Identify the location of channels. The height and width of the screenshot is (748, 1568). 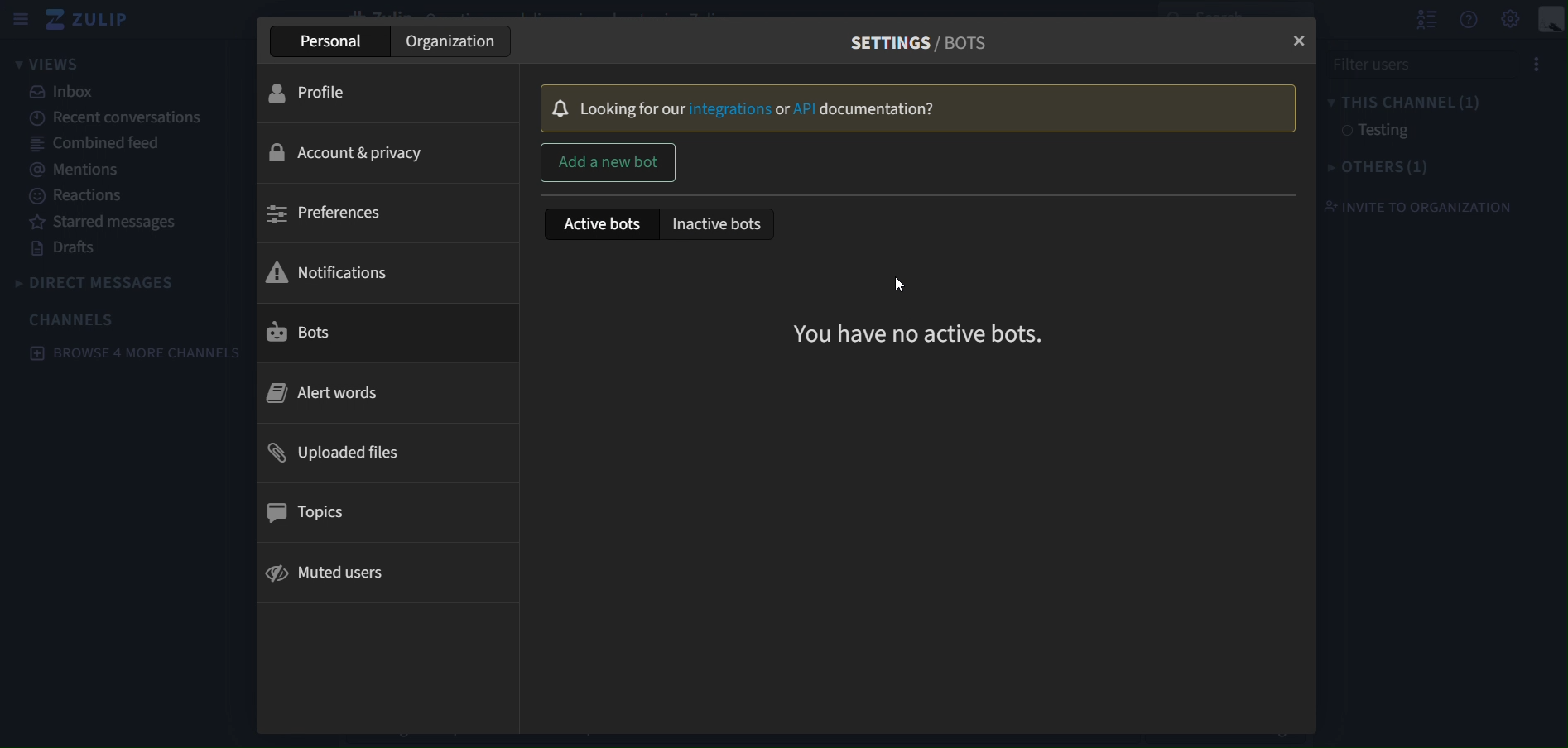
(73, 319).